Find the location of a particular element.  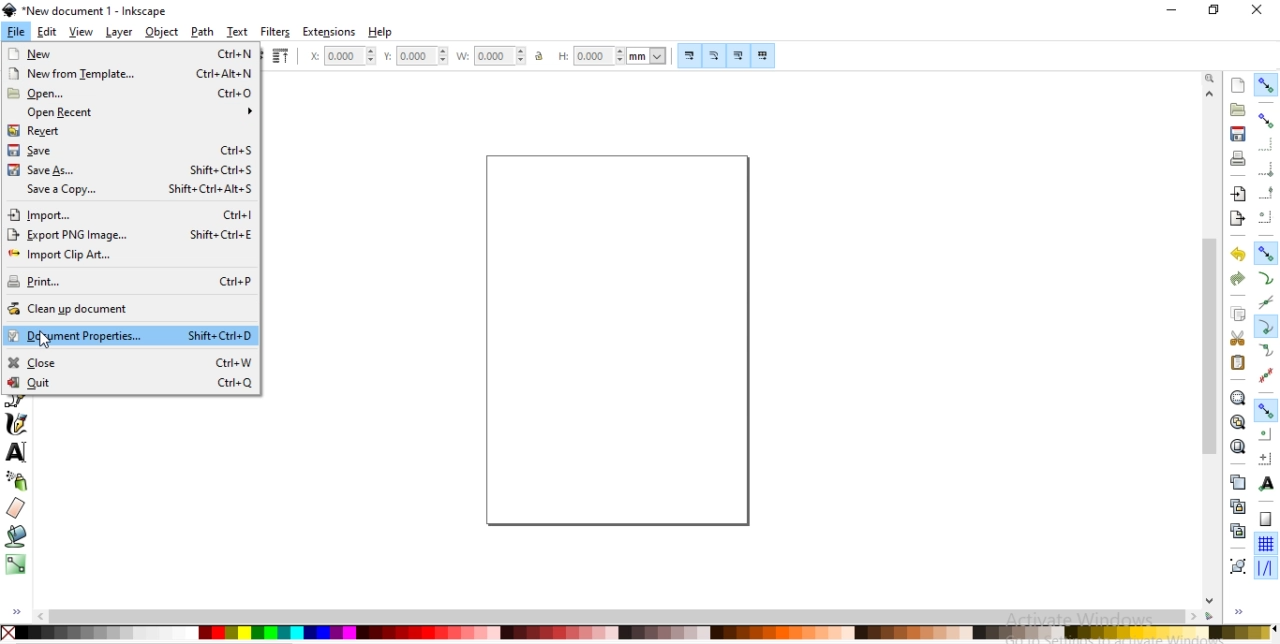

snap cusp nodes is located at coordinates (1265, 328).